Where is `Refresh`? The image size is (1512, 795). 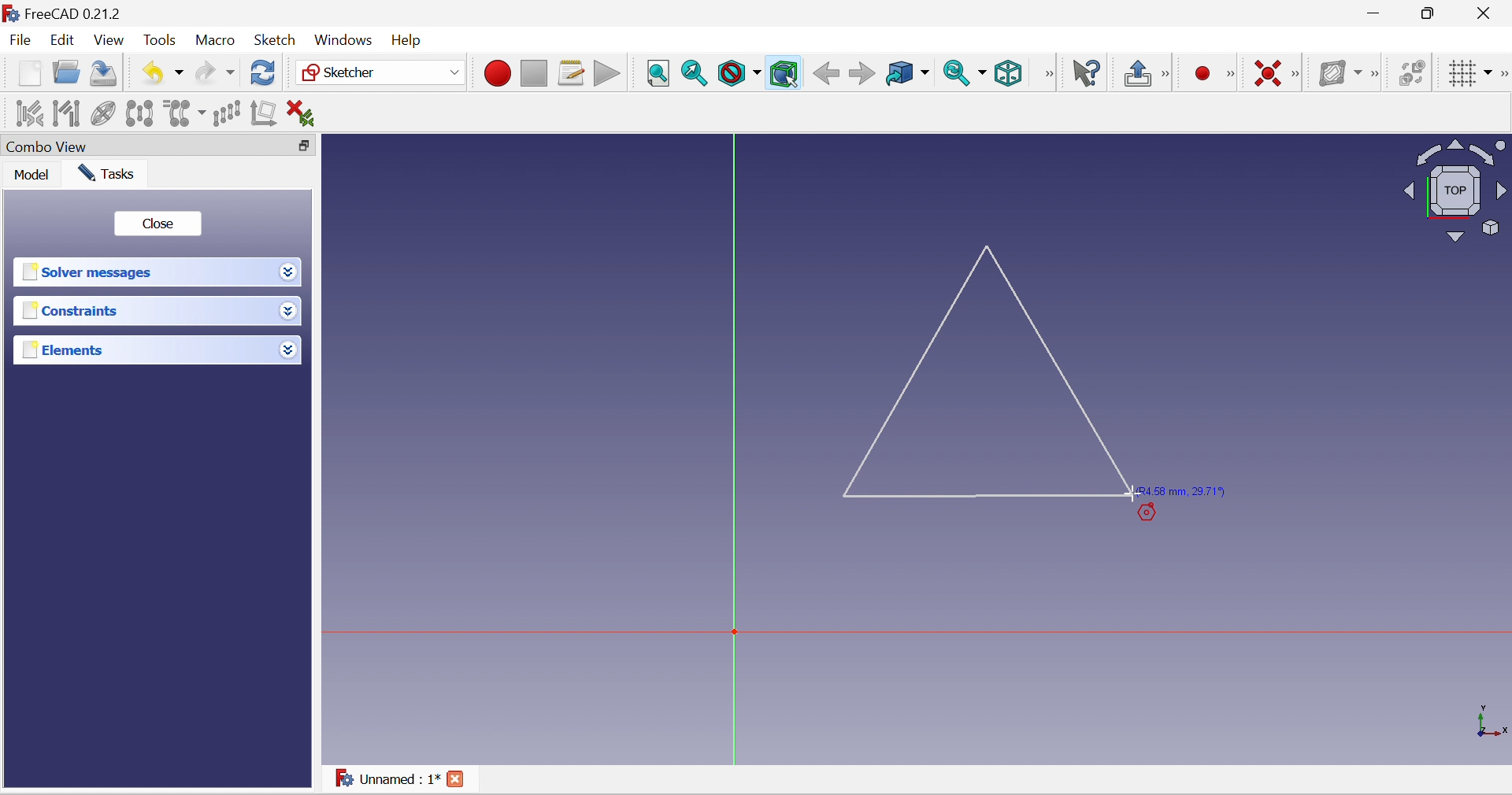
Refresh is located at coordinates (263, 74).